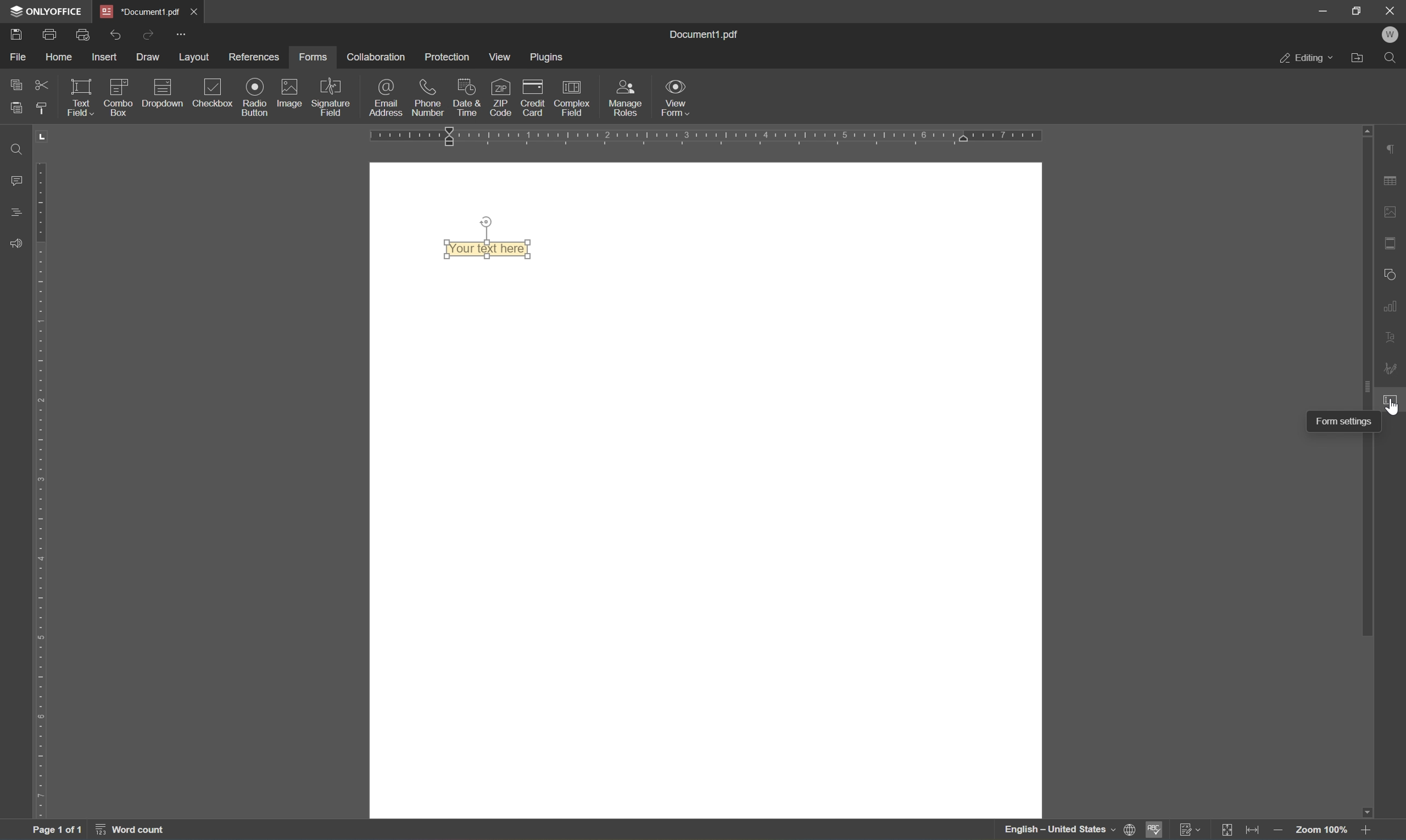 The image size is (1406, 840). What do you see at coordinates (1392, 398) in the screenshot?
I see `form settings` at bounding box center [1392, 398].